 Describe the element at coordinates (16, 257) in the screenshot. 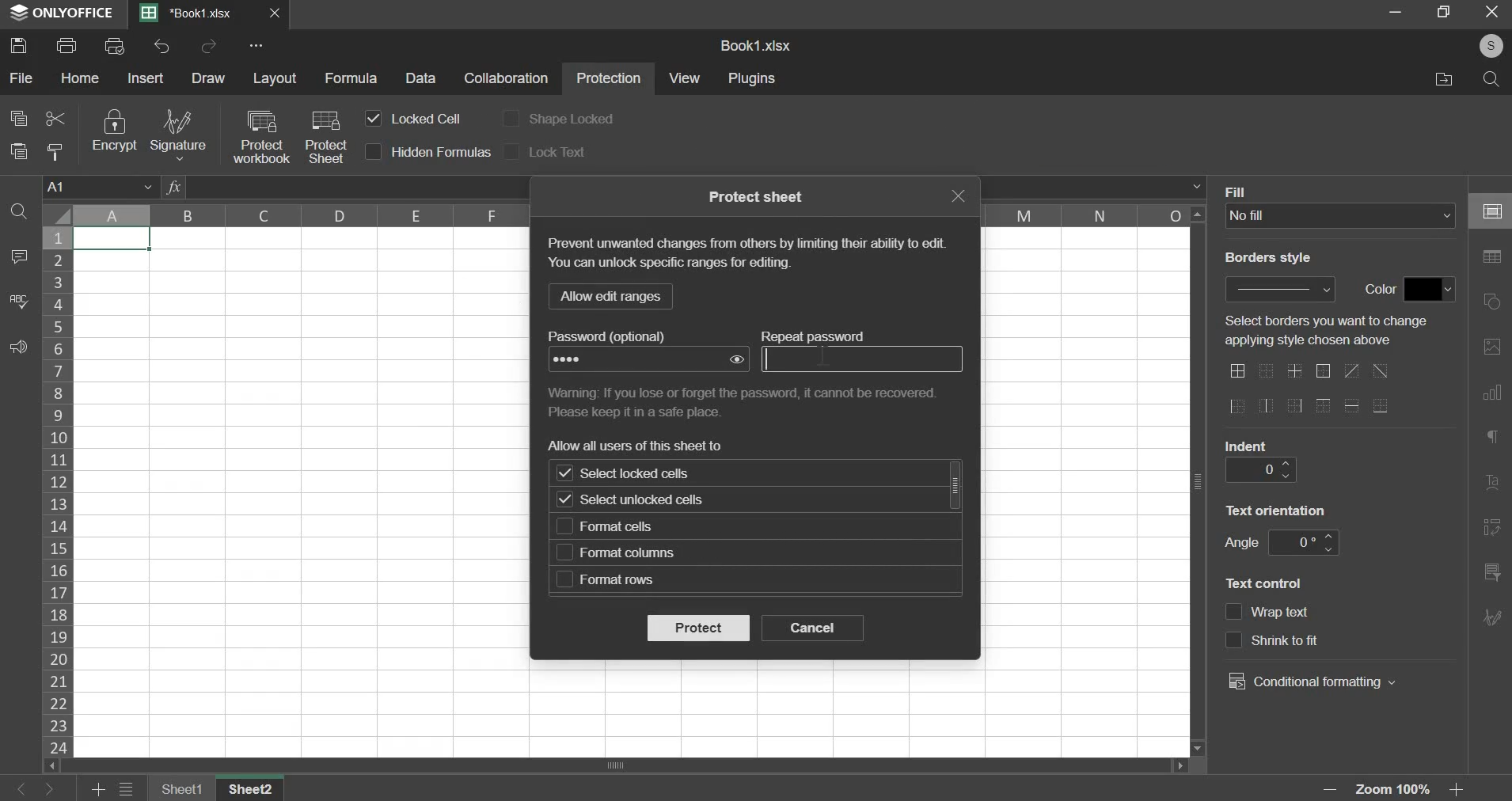

I see `comment` at that location.